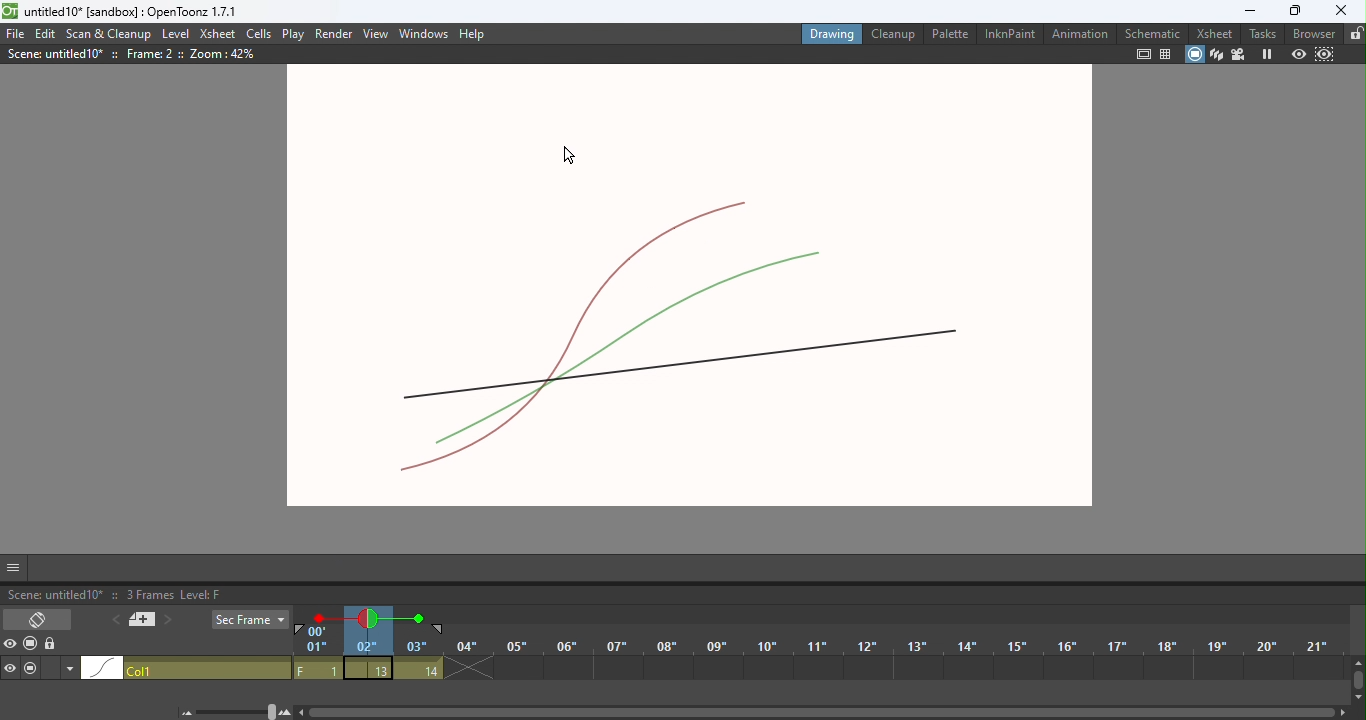 The image size is (1366, 720). What do you see at coordinates (186, 714) in the screenshot?
I see `zoom out` at bounding box center [186, 714].